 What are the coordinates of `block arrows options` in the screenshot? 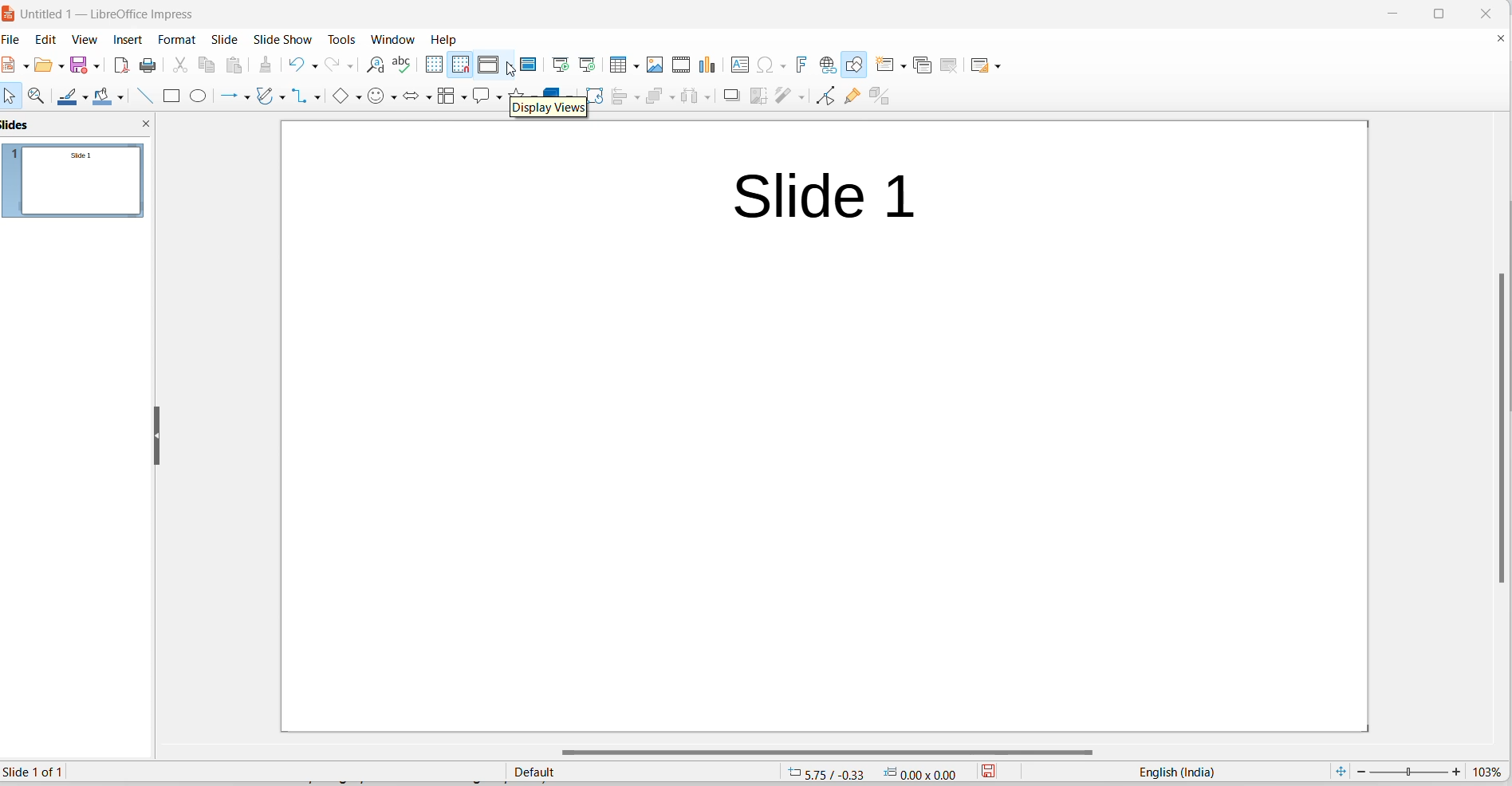 It's located at (428, 96).